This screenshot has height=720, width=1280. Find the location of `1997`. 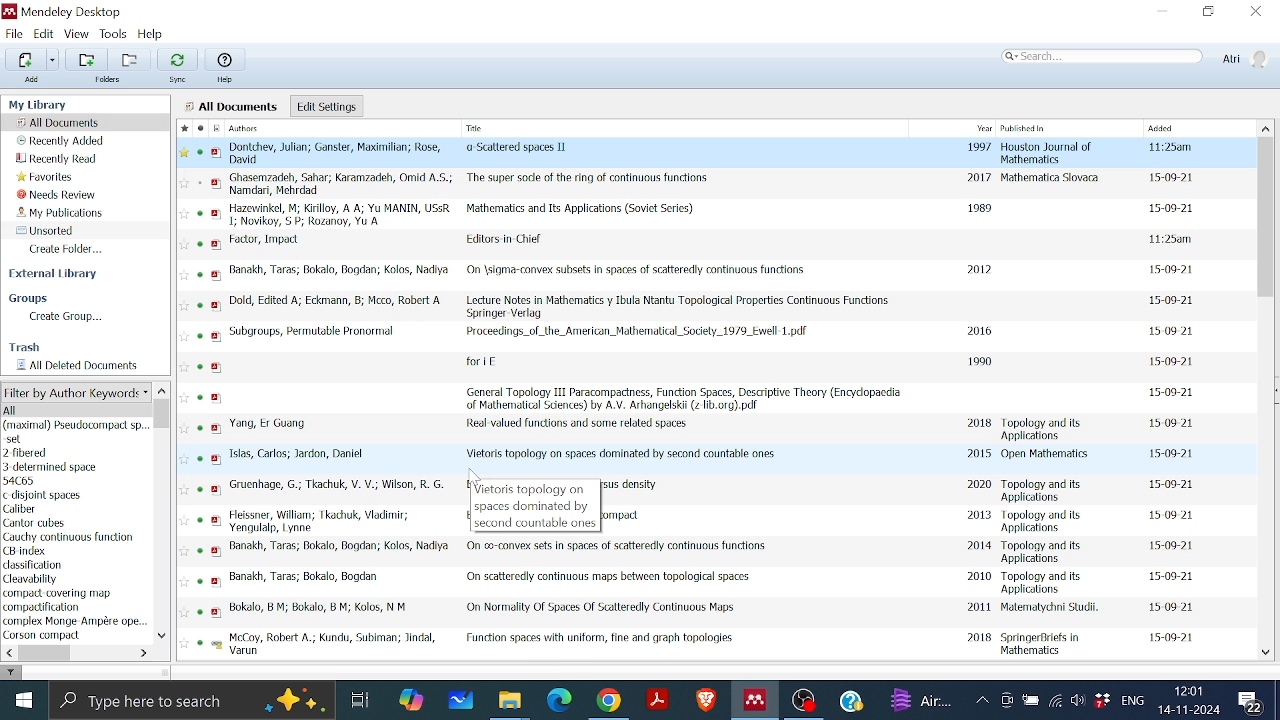

1997 is located at coordinates (975, 148).